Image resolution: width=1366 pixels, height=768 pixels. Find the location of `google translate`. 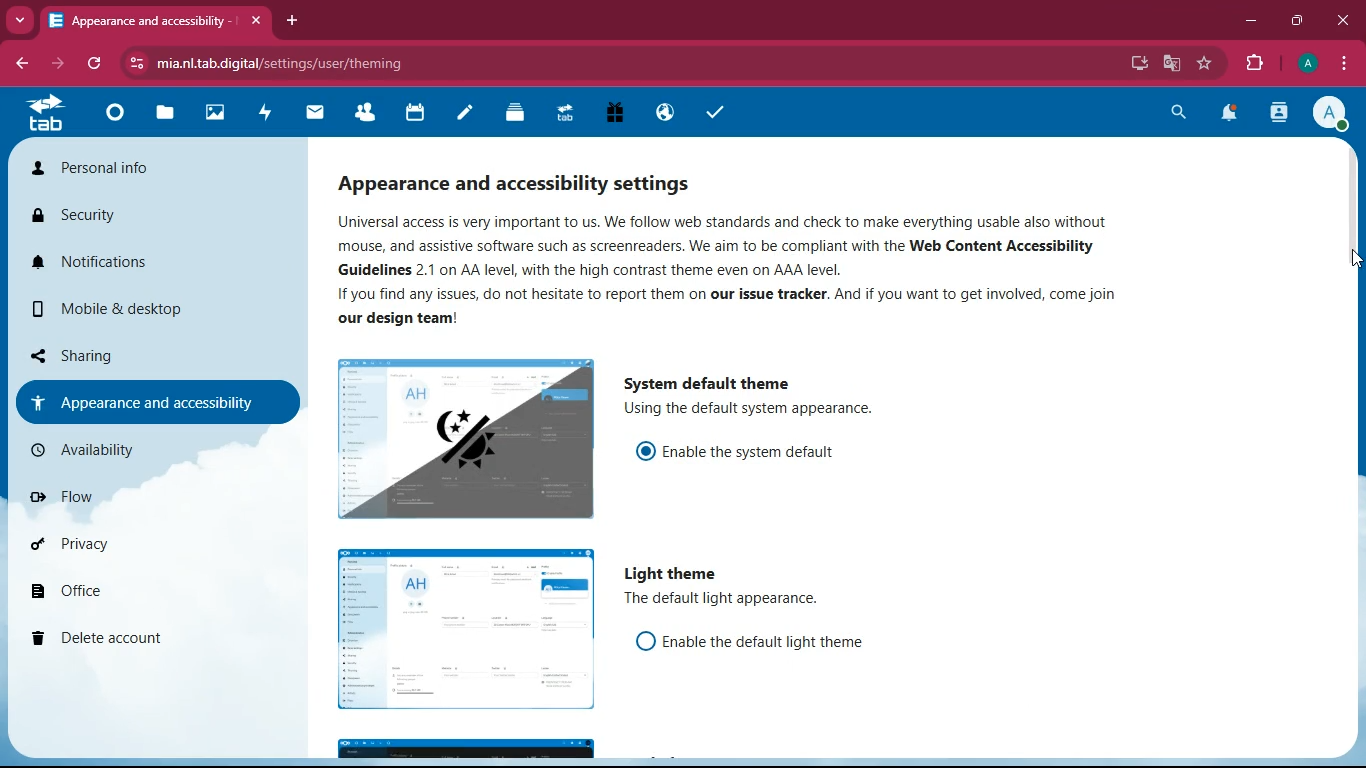

google translate is located at coordinates (1170, 63).